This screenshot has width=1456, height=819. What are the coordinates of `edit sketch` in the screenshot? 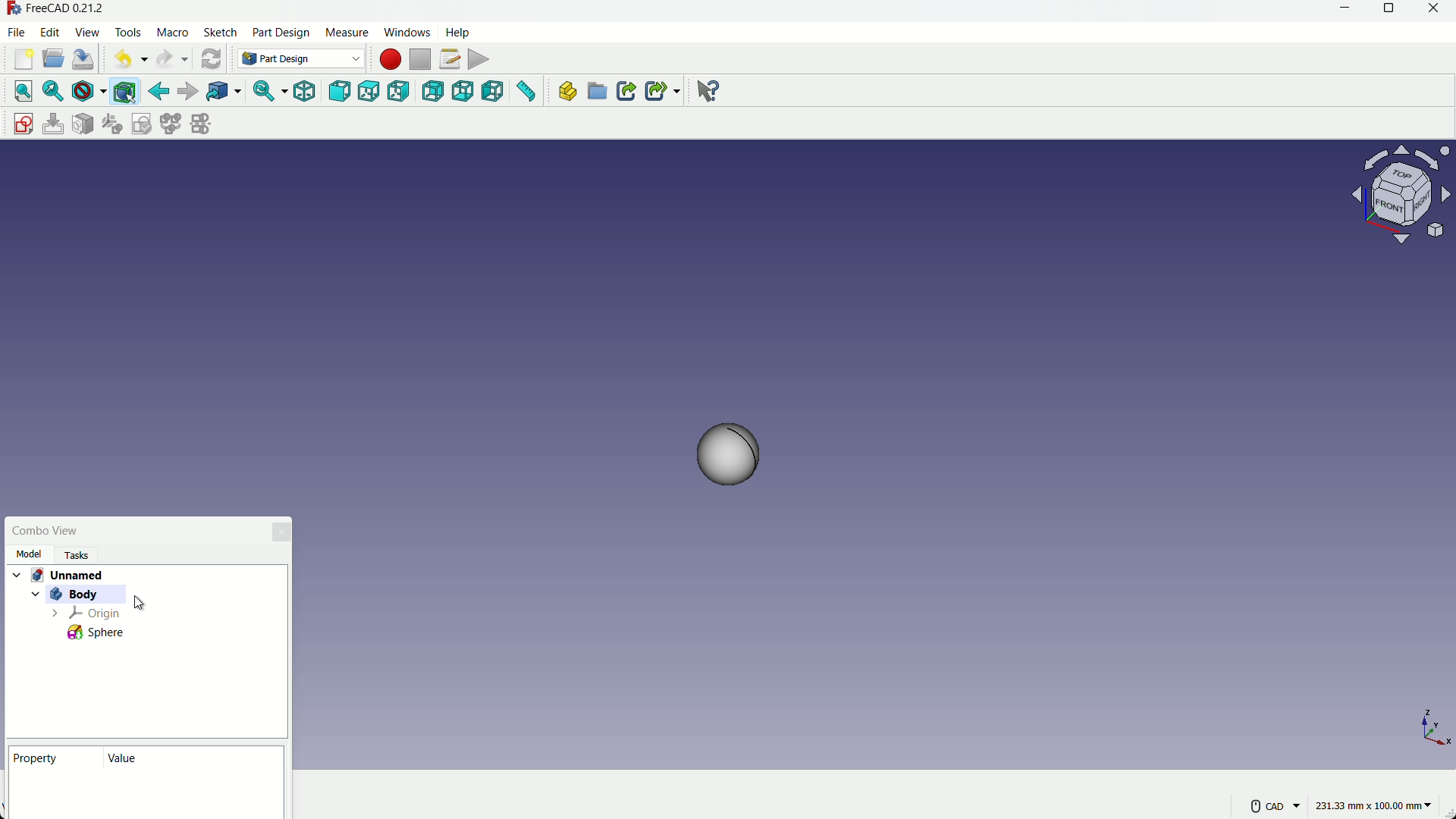 It's located at (54, 124).